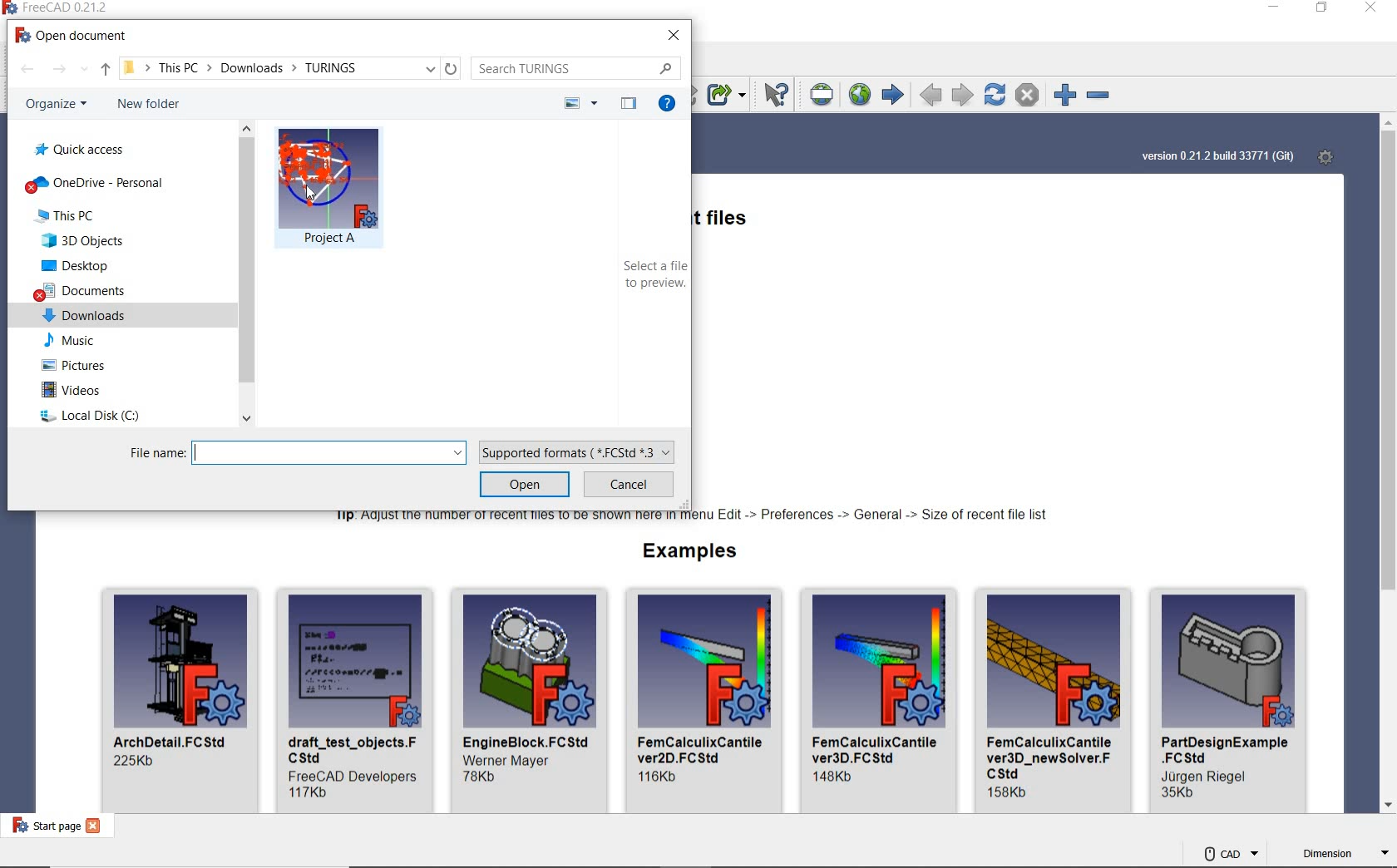  I want to click on NEXT PAGE, so click(963, 94).